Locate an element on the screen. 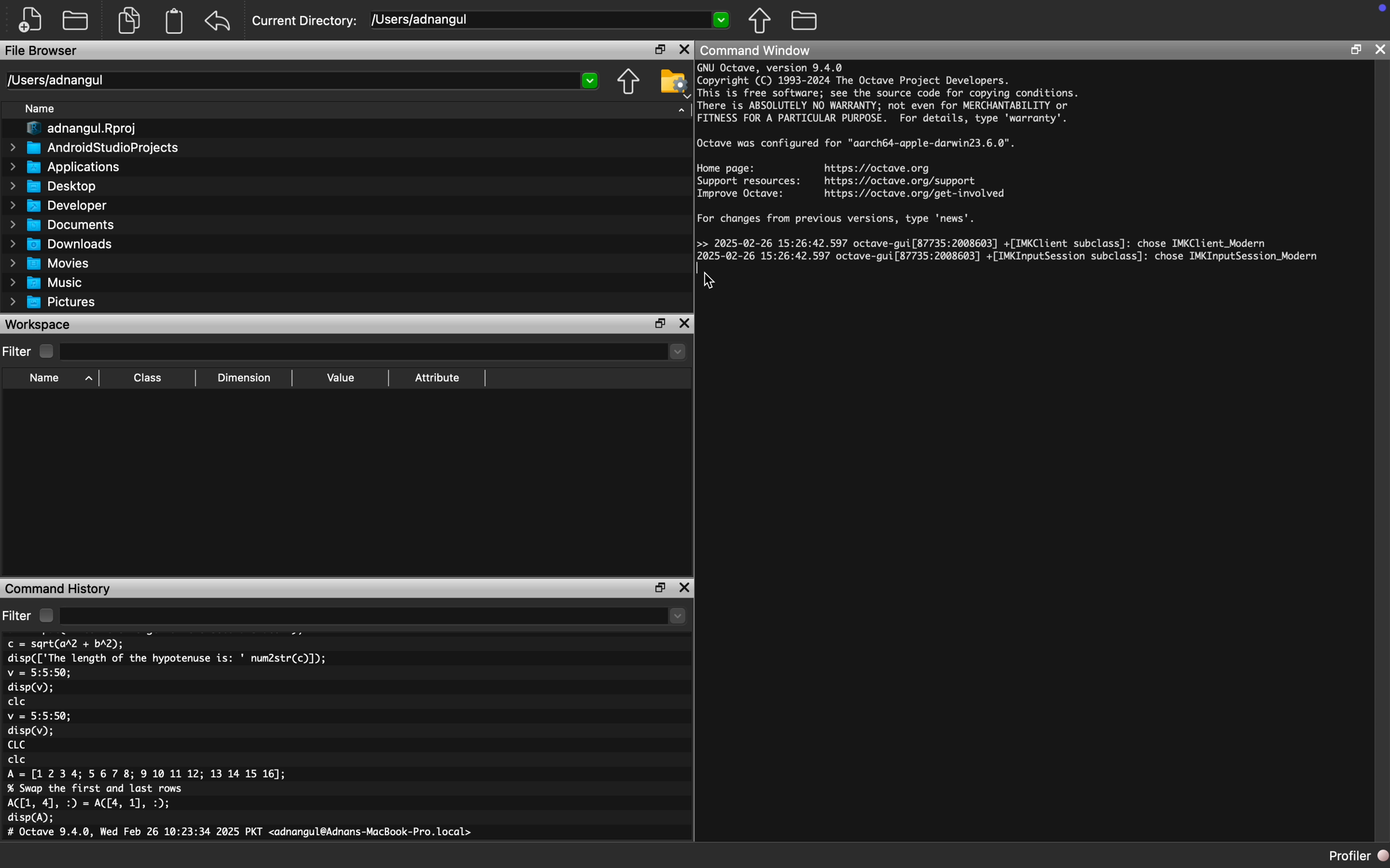  Applications is located at coordinates (63, 168).